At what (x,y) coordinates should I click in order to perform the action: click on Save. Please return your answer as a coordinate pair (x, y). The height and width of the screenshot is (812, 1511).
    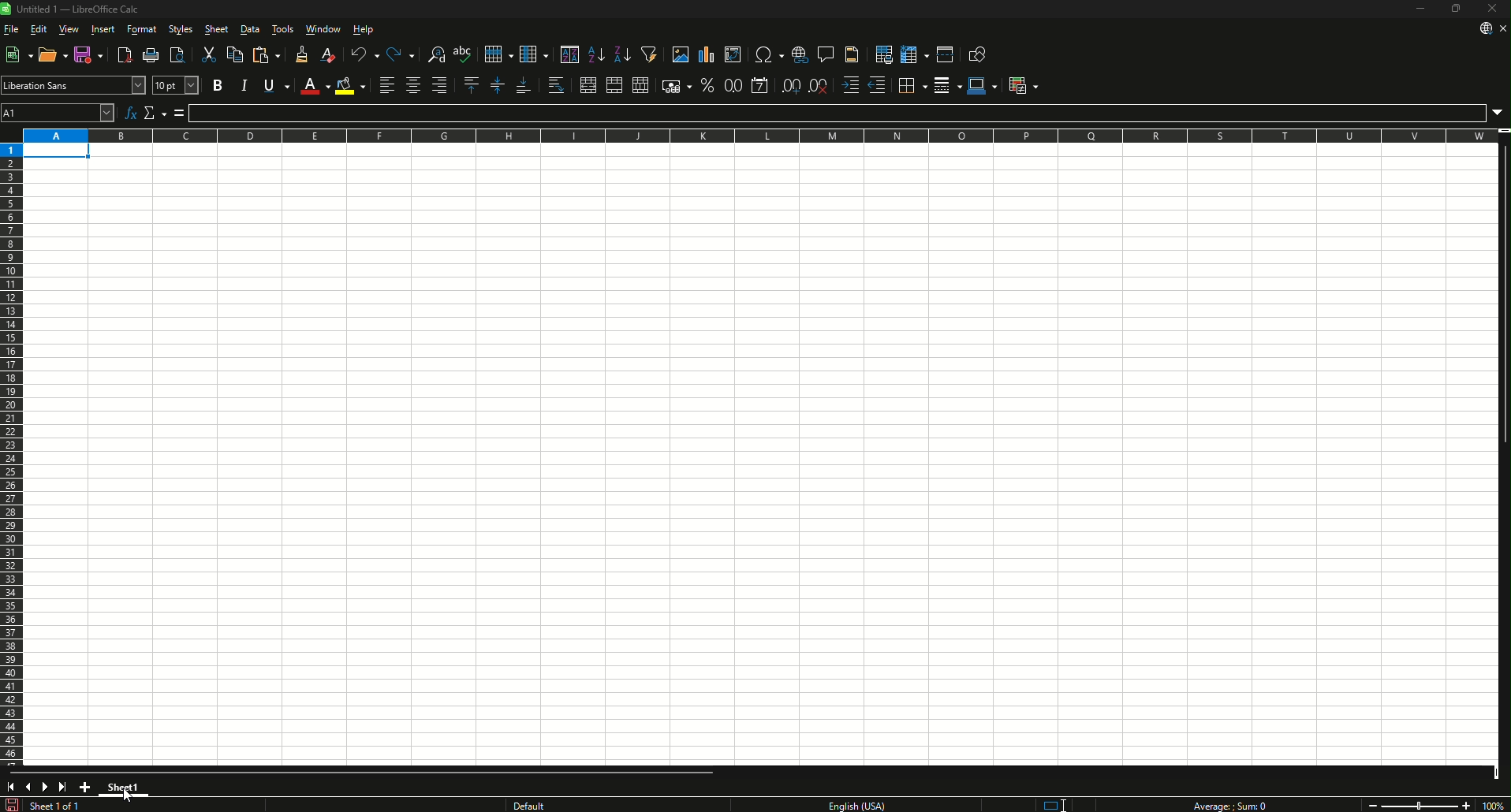
    Looking at the image, I should click on (90, 54).